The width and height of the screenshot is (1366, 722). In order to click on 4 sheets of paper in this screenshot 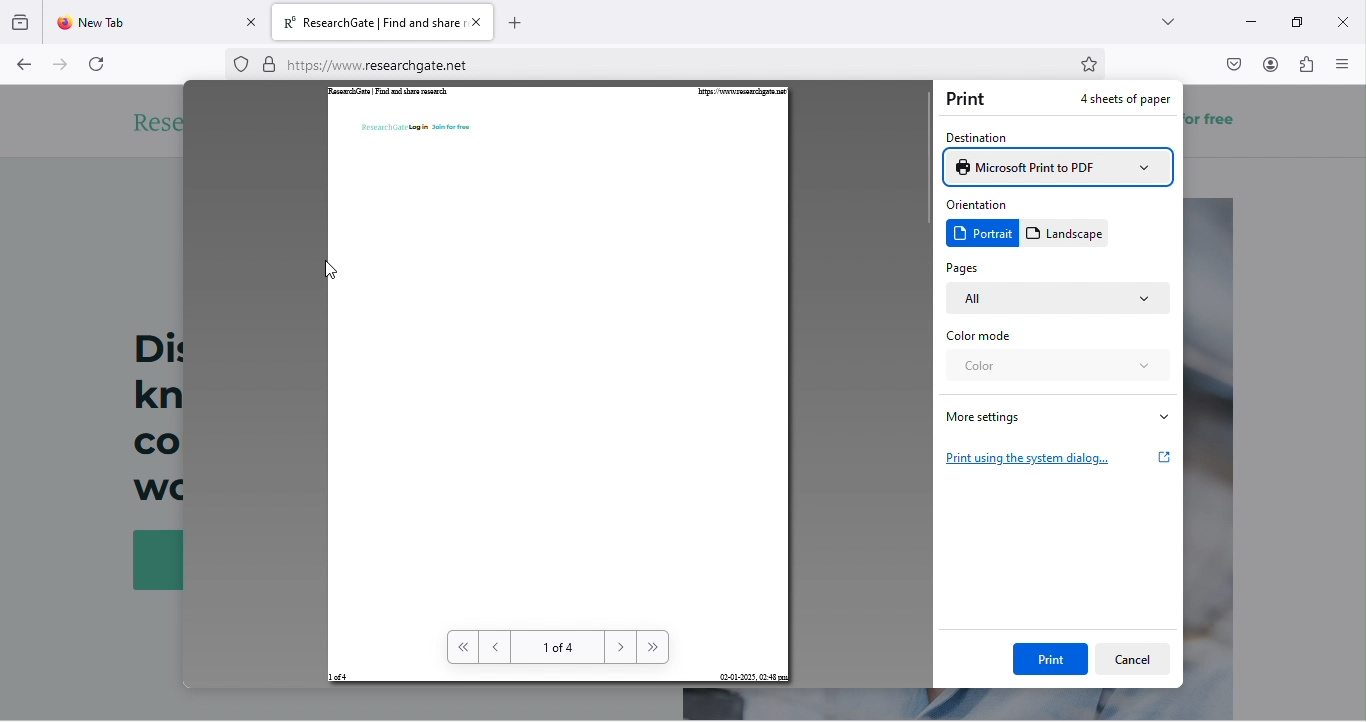, I will do `click(1114, 100)`.